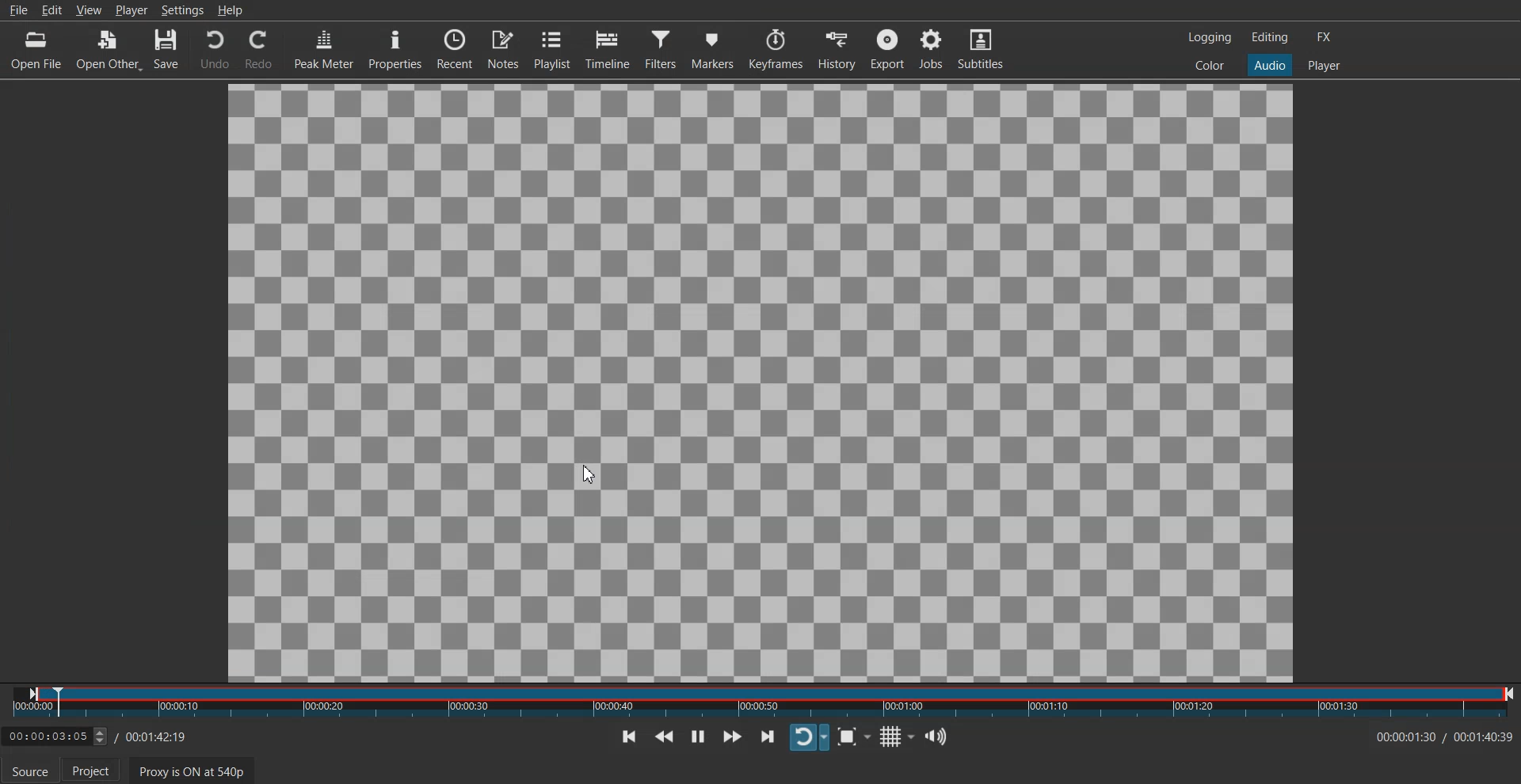 The height and width of the screenshot is (784, 1521). Describe the element at coordinates (732, 736) in the screenshot. I see `Play Quickly Forwards` at that location.